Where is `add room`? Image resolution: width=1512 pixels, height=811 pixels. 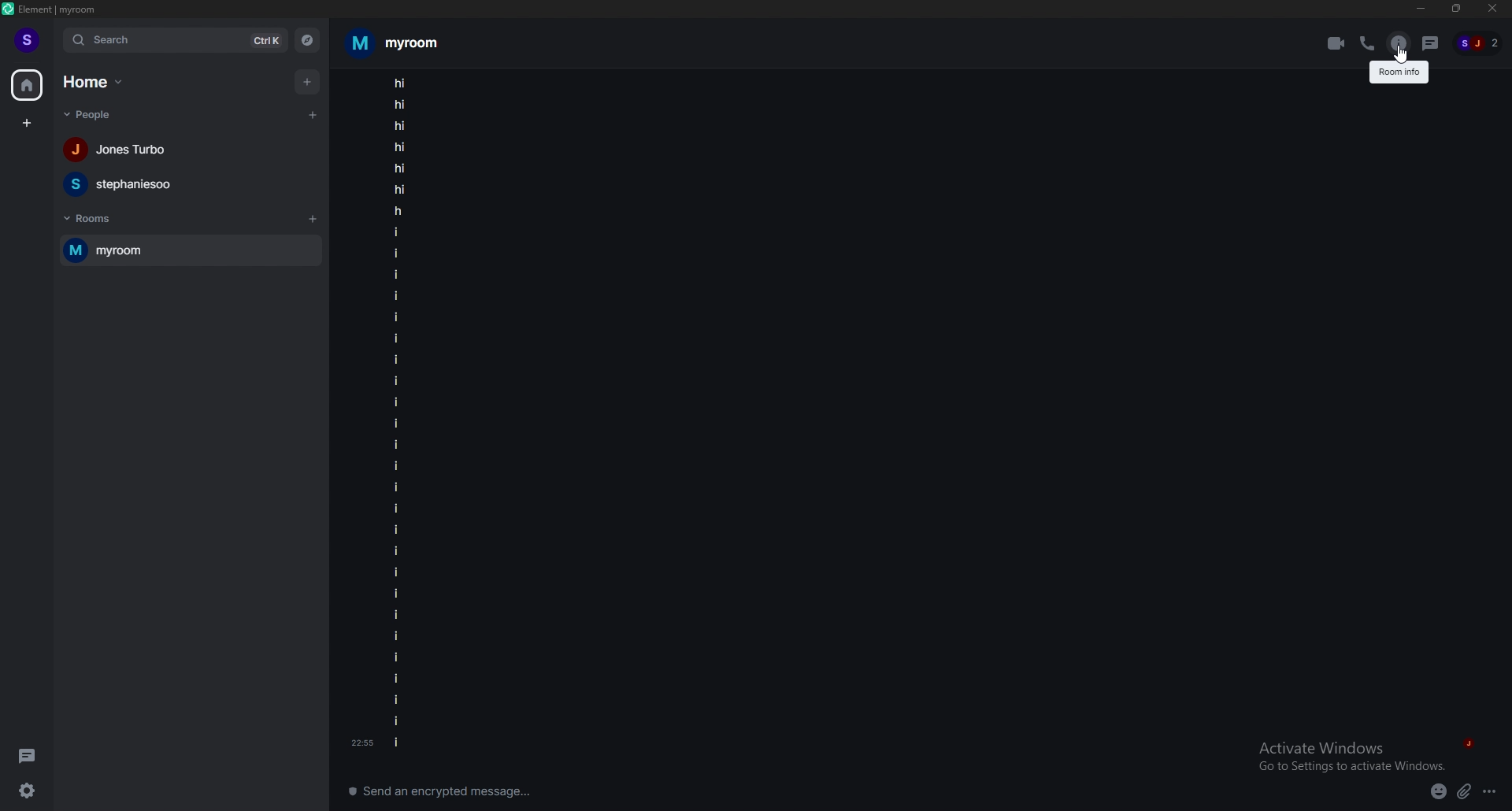
add room is located at coordinates (313, 219).